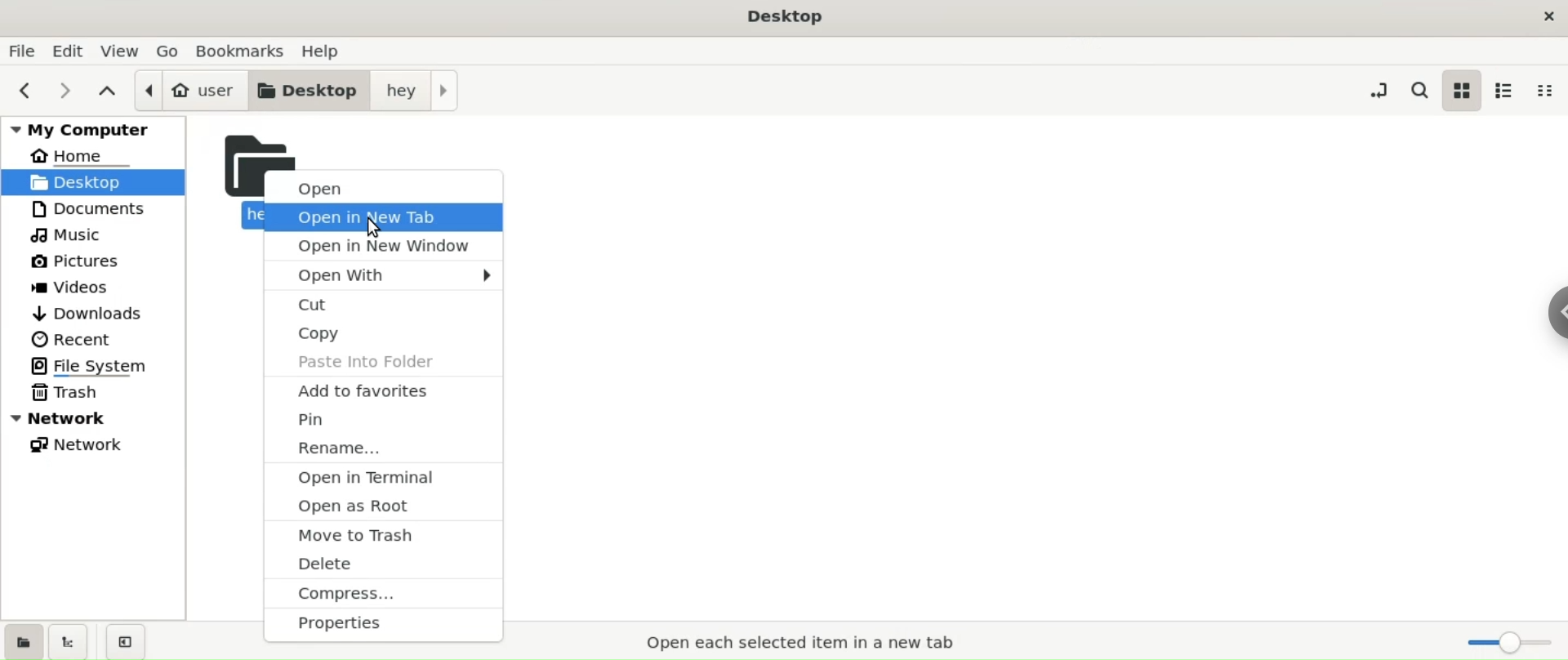  Describe the element at coordinates (381, 185) in the screenshot. I see `open` at that location.